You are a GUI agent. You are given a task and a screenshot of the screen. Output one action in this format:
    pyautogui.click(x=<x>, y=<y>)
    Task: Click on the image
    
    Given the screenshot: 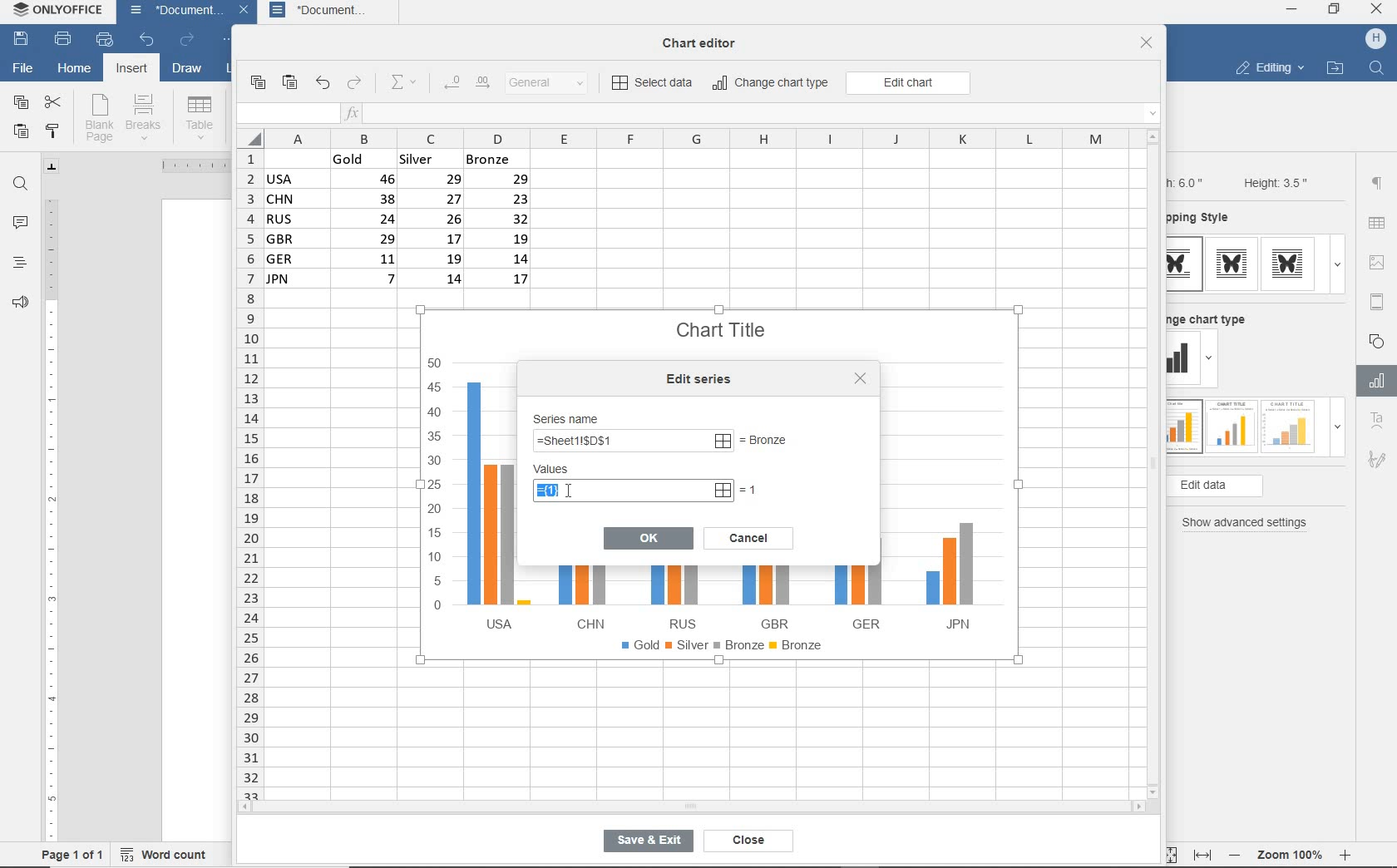 What is the action you would take?
    pyautogui.click(x=1380, y=262)
    